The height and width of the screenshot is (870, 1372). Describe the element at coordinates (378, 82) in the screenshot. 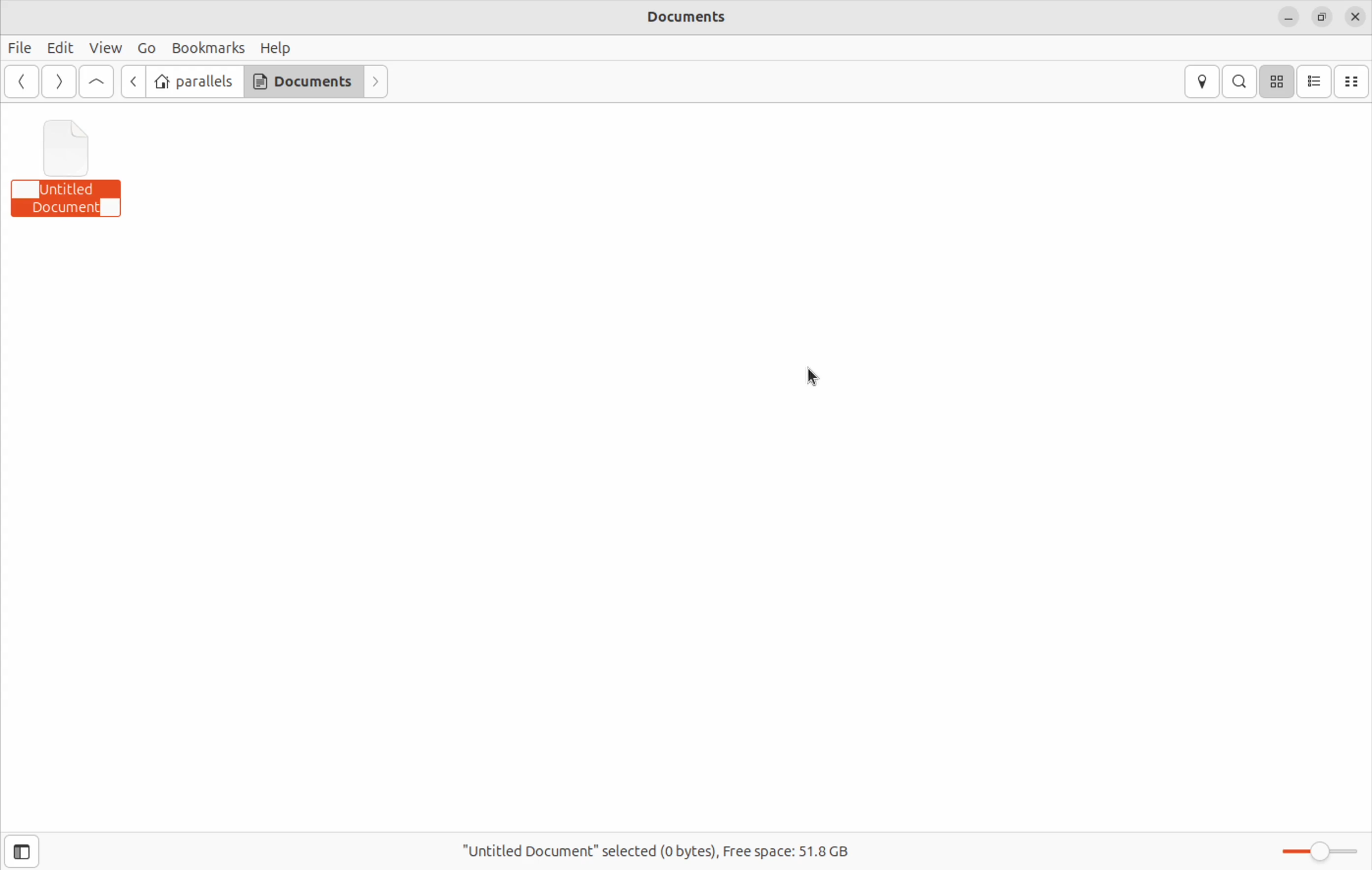

I see `next ` at that location.